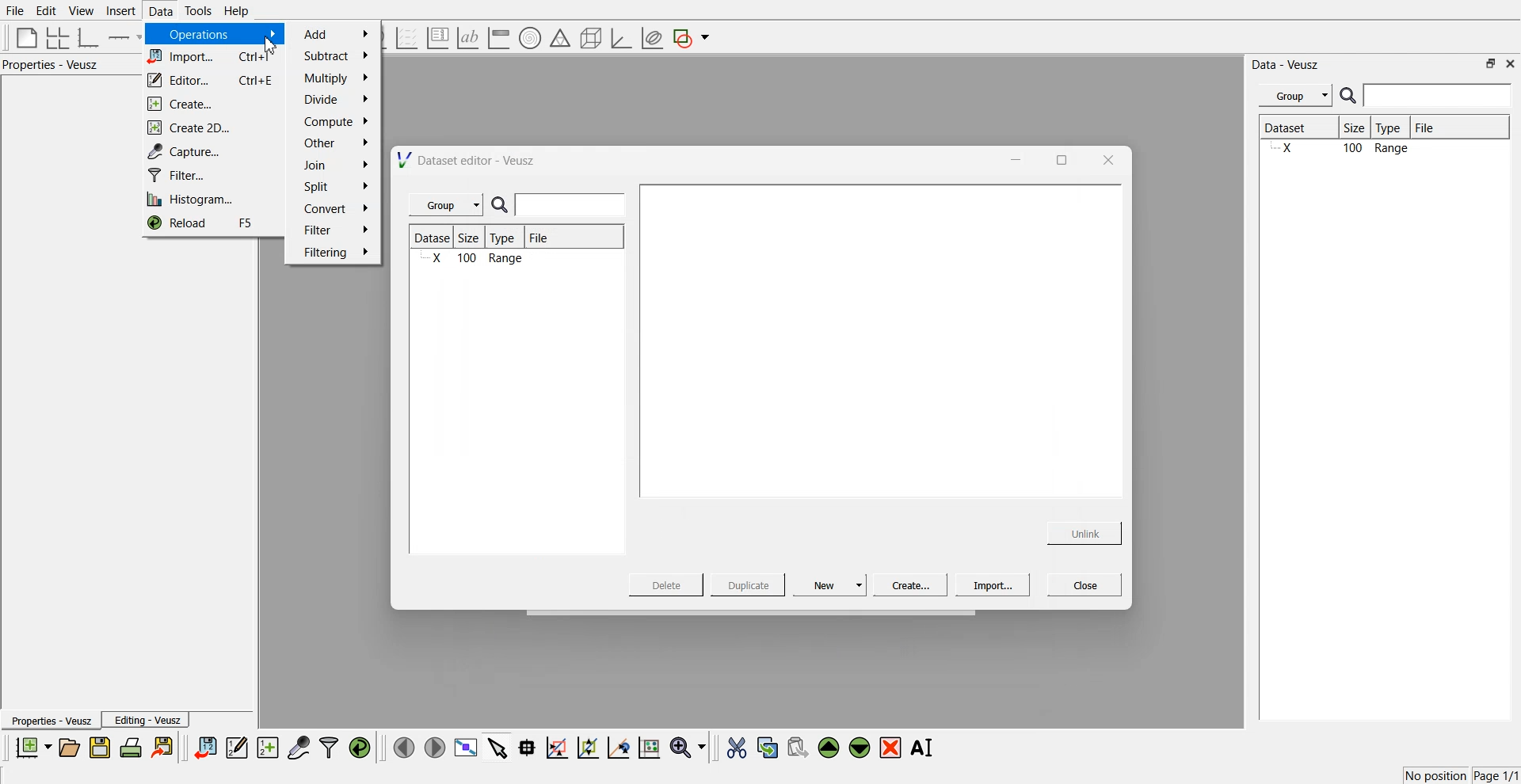 The width and height of the screenshot is (1521, 784). Describe the element at coordinates (273, 47) in the screenshot. I see `cursor` at that location.